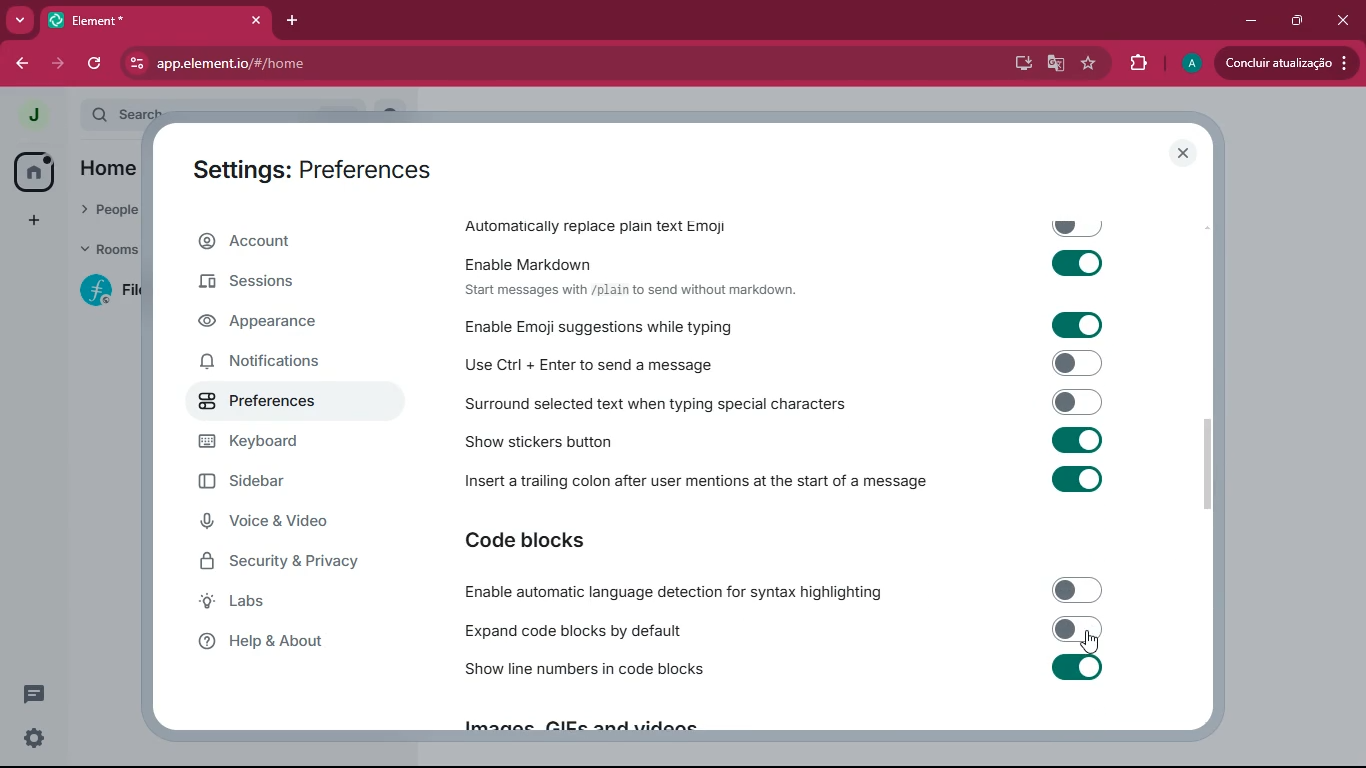  I want to click on code blocks, so click(575, 540).